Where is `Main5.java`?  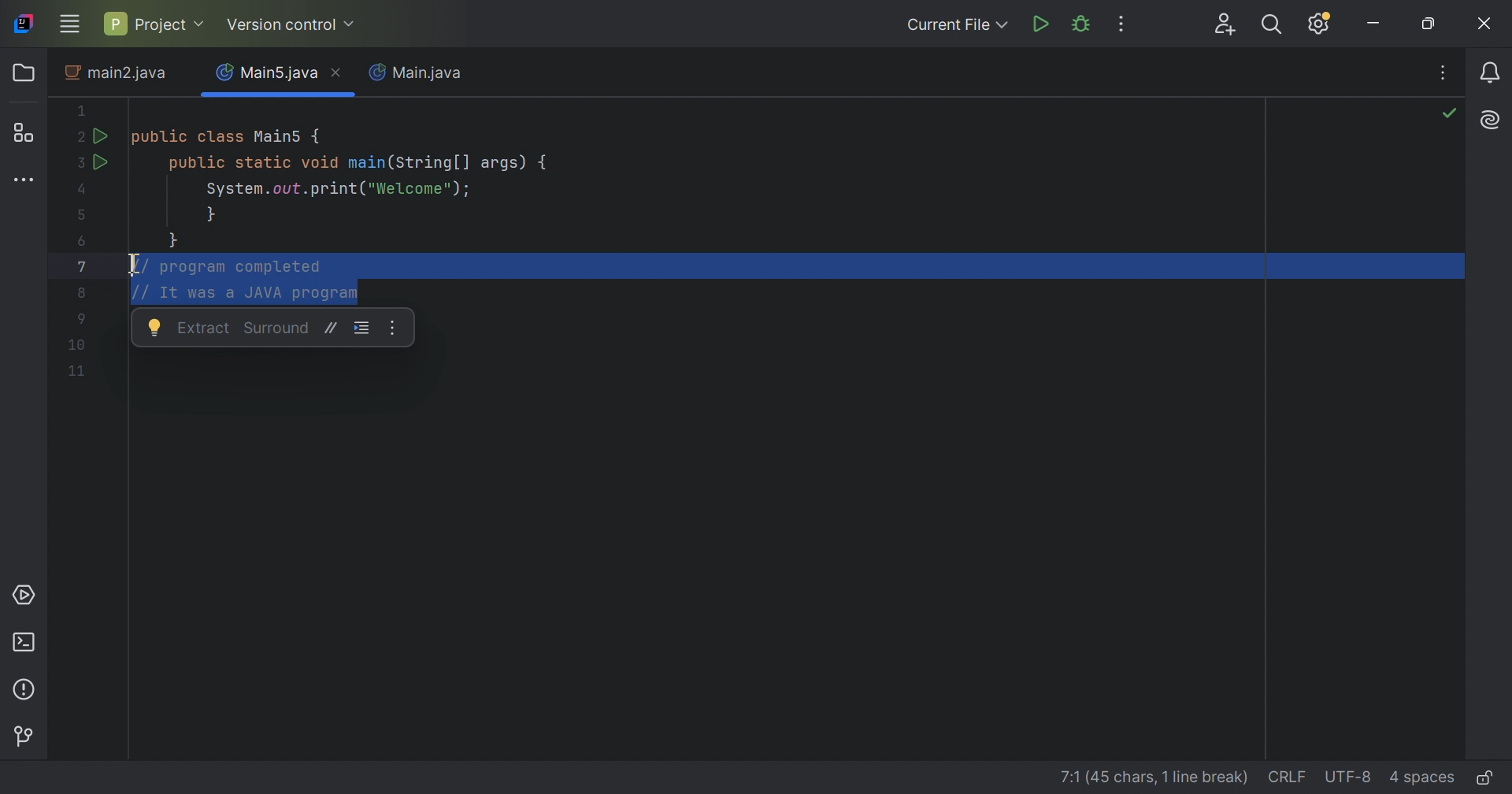 Main5.java is located at coordinates (267, 70).